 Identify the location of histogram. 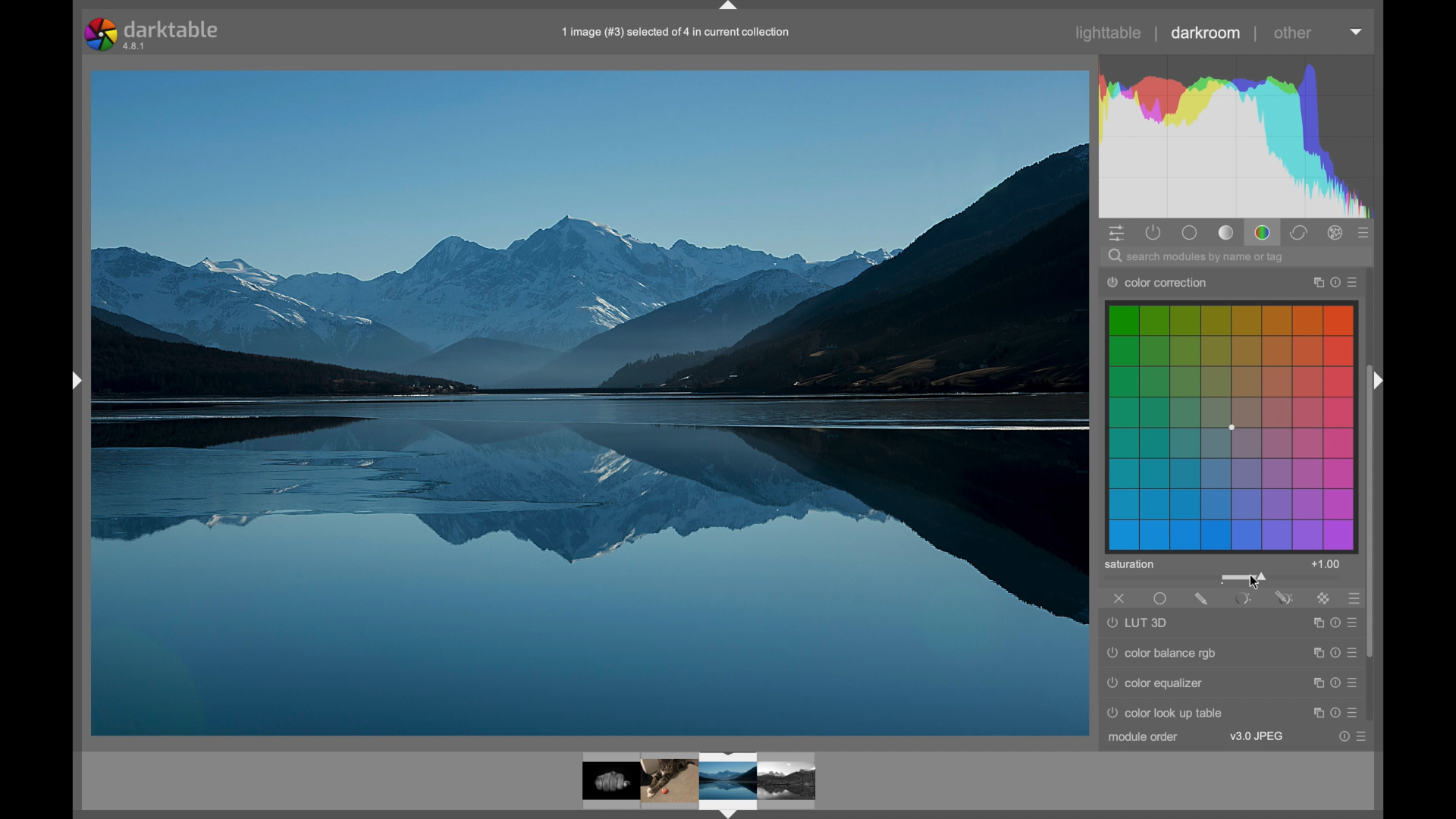
(1234, 136).